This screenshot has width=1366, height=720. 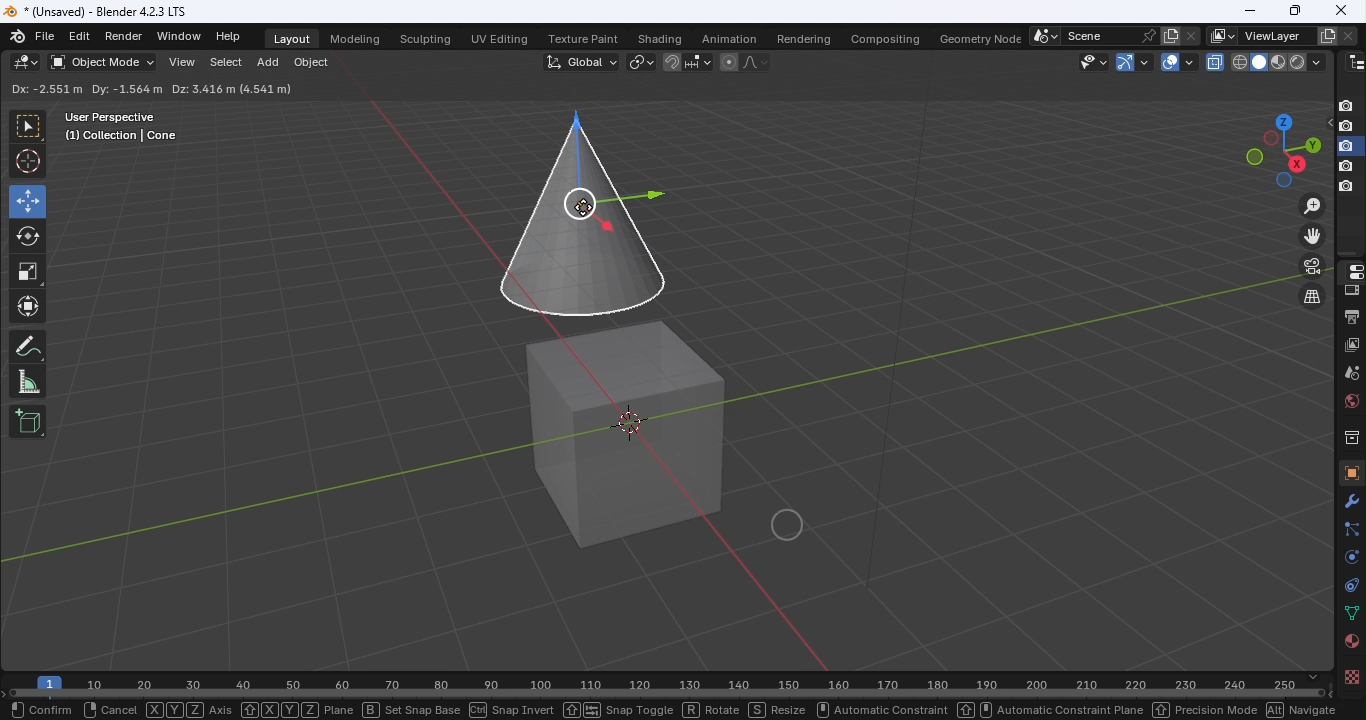 I want to click on Object, so click(x=1349, y=472).